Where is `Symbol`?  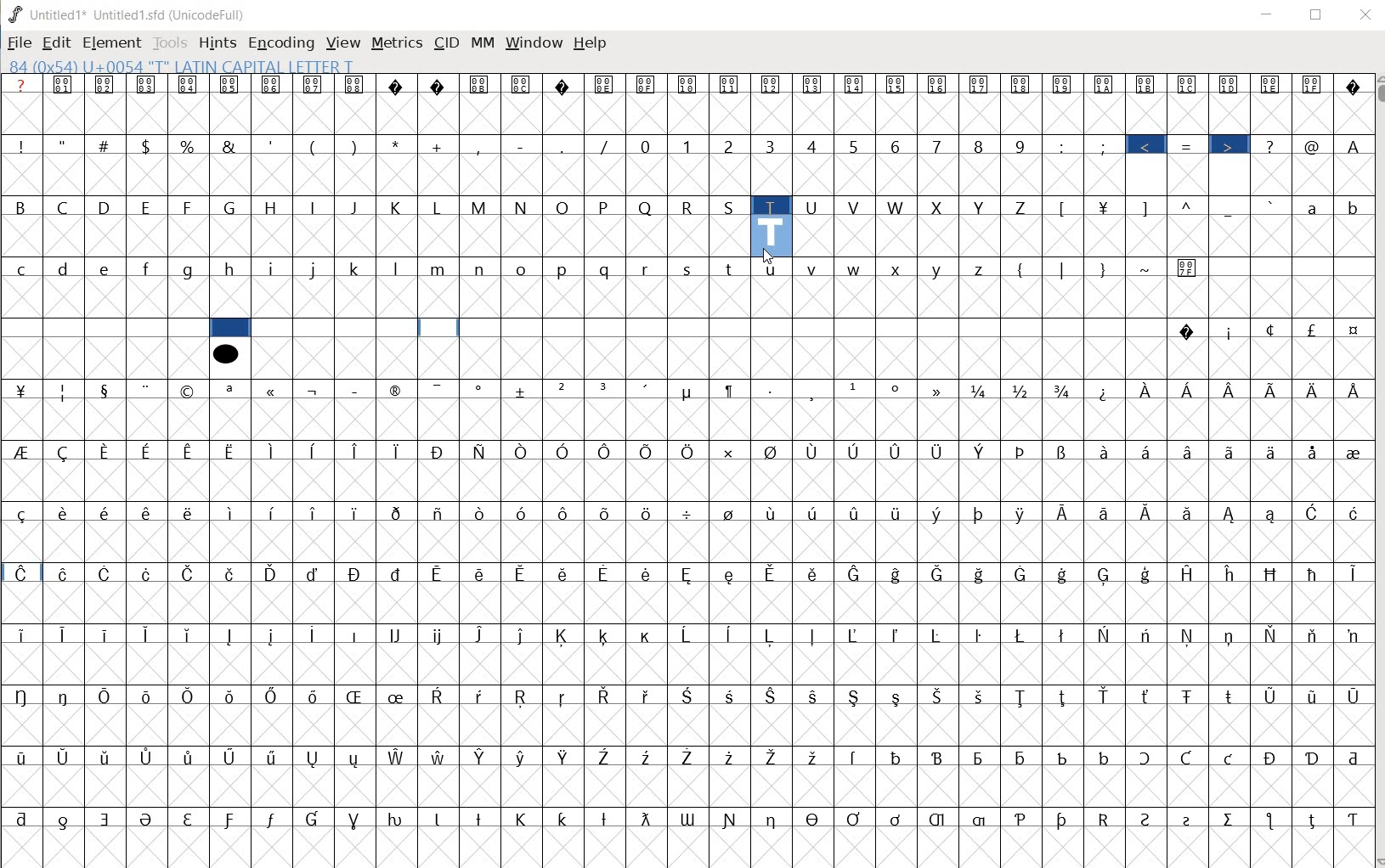 Symbol is located at coordinates (107, 575).